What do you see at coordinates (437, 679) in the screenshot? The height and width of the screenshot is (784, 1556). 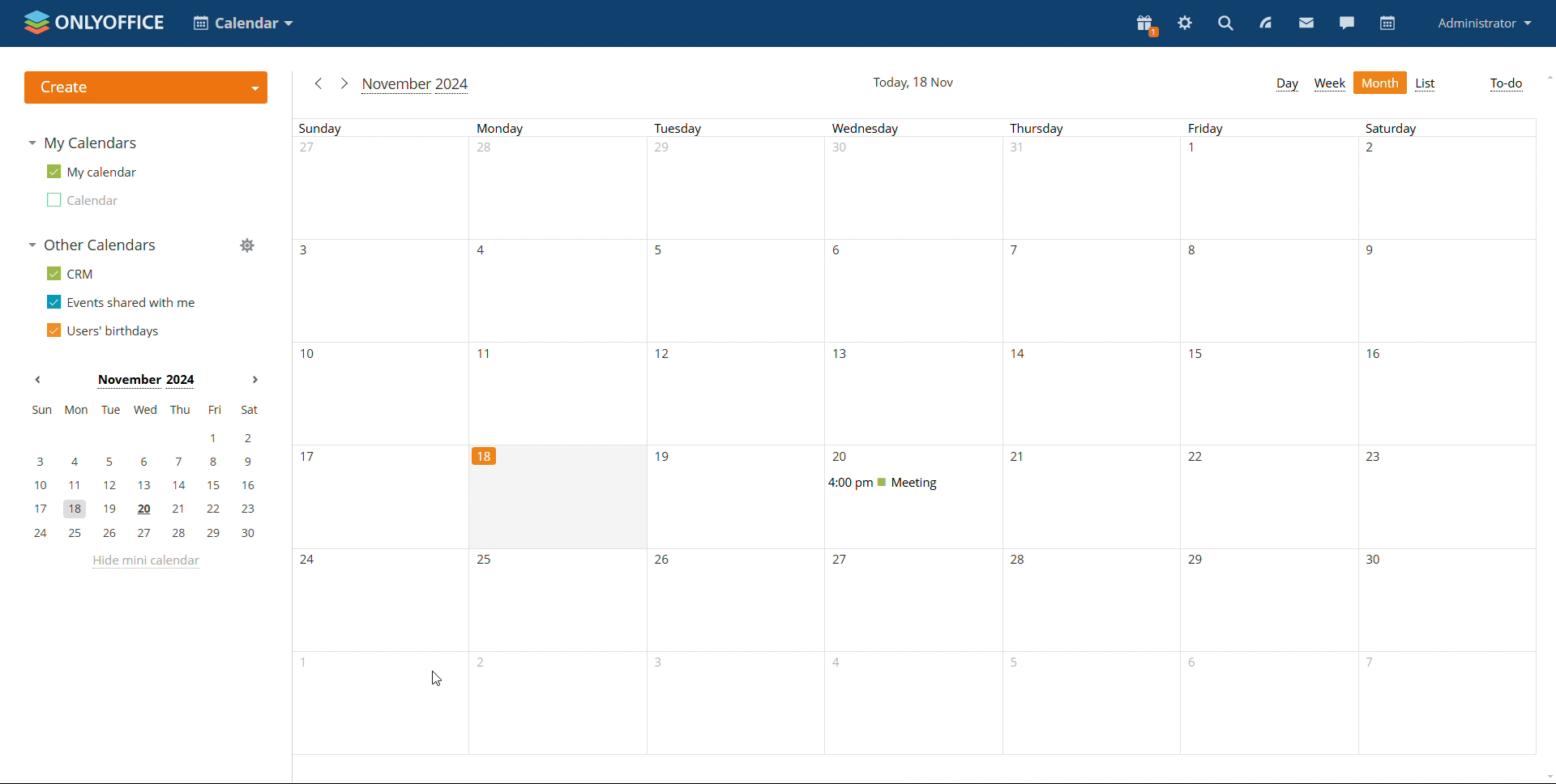 I see `cursor` at bounding box center [437, 679].